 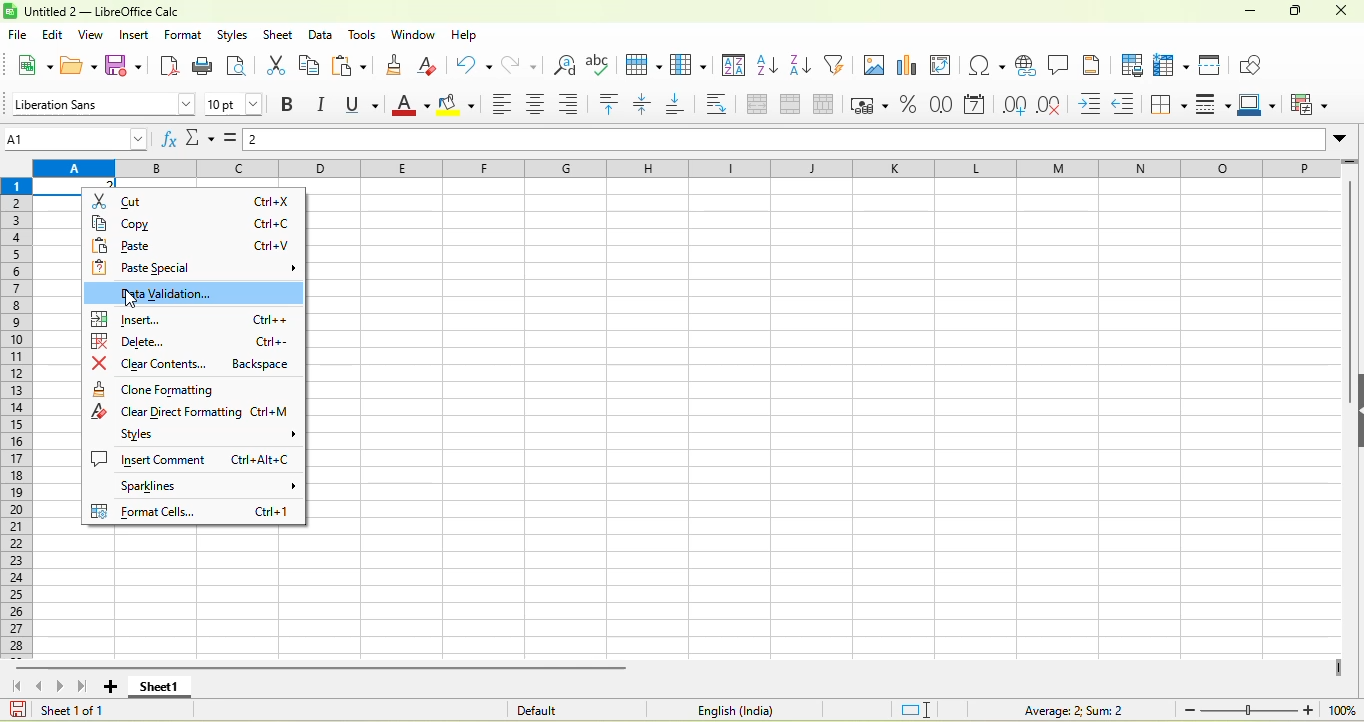 What do you see at coordinates (365, 36) in the screenshot?
I see `tools` at bounding box center [365, 36].